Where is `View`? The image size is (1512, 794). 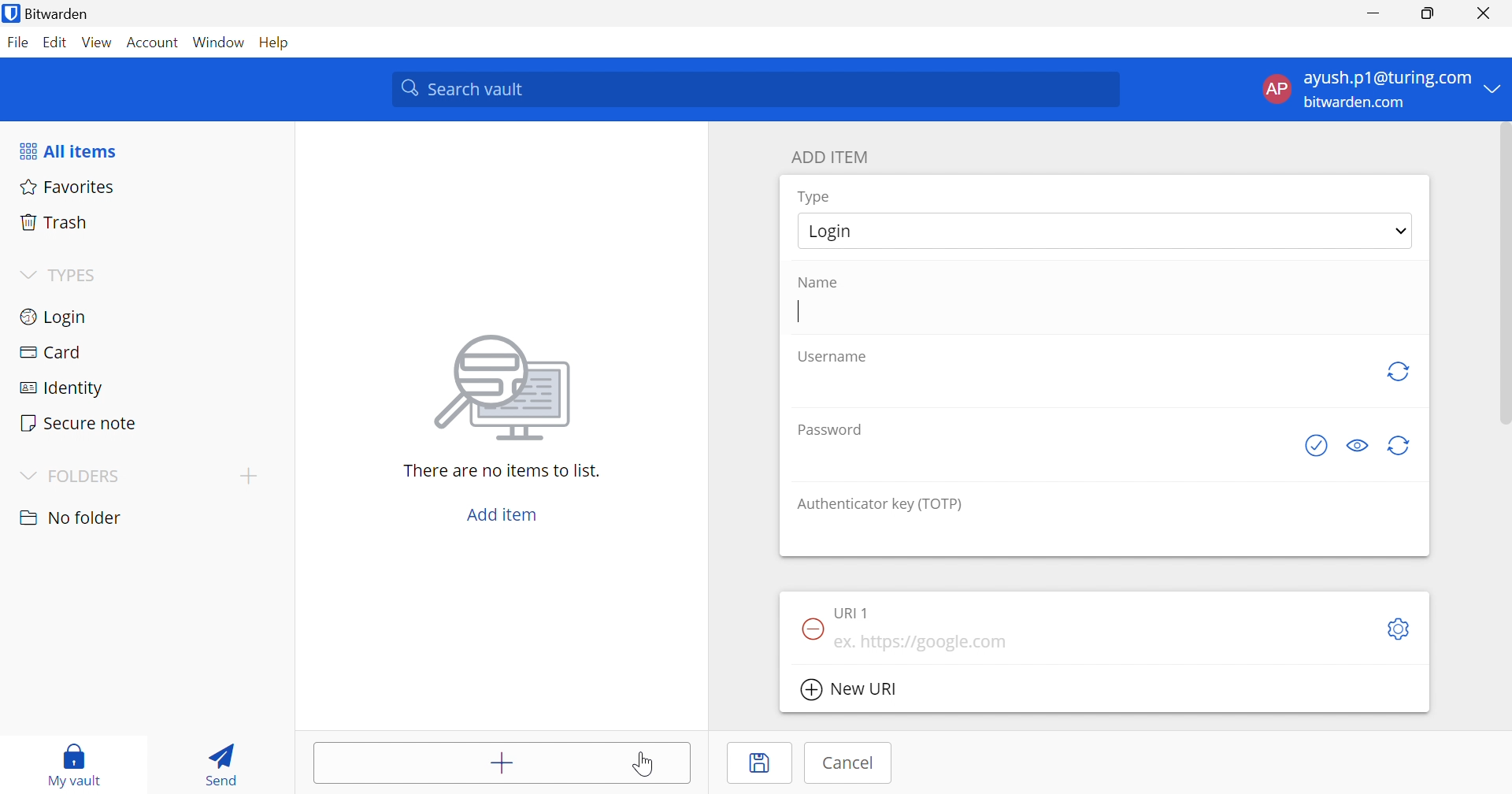
View is located at coordinates (98, 43).